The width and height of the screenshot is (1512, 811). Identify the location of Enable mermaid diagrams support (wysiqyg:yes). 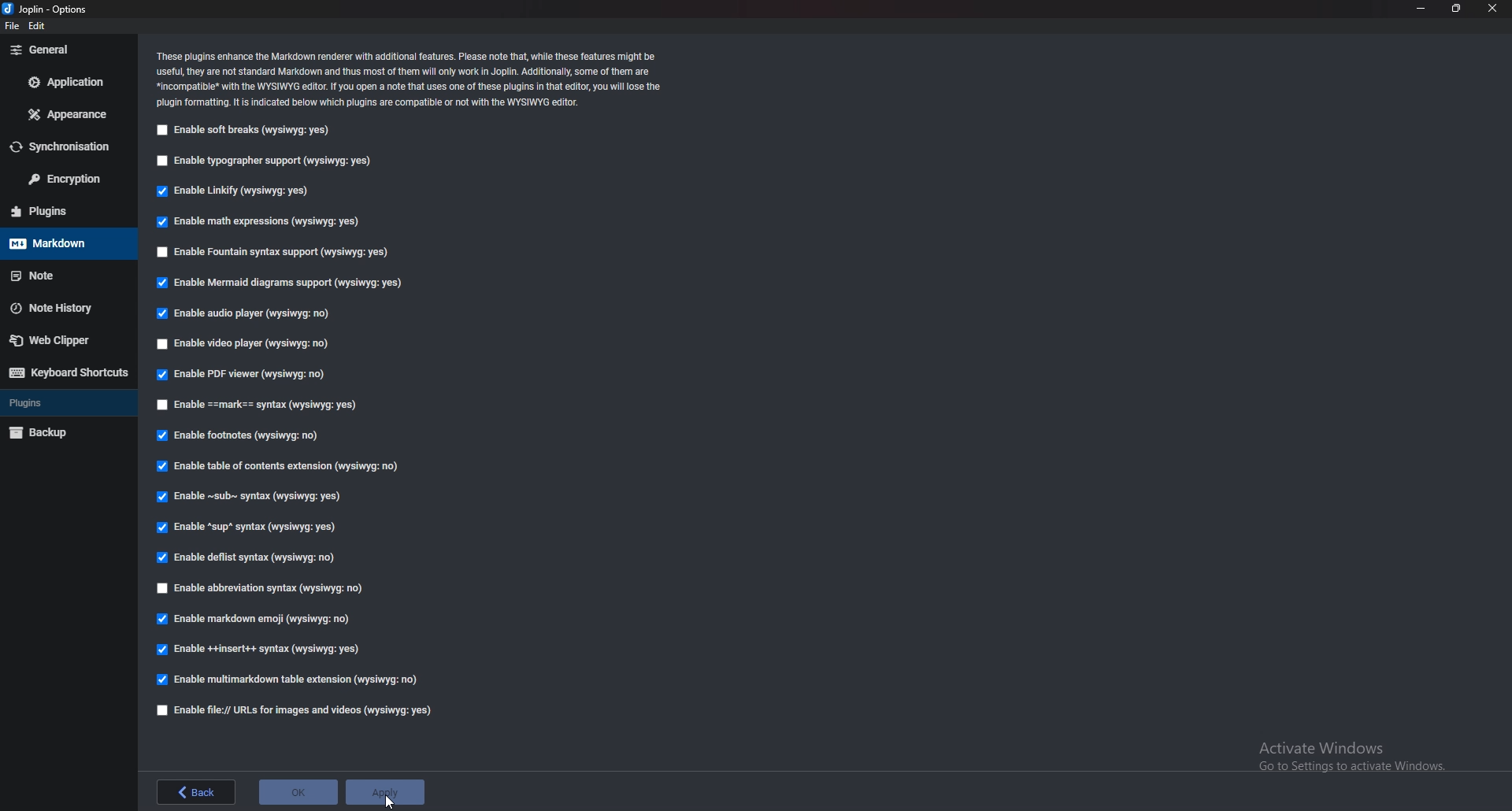
(282, 285).